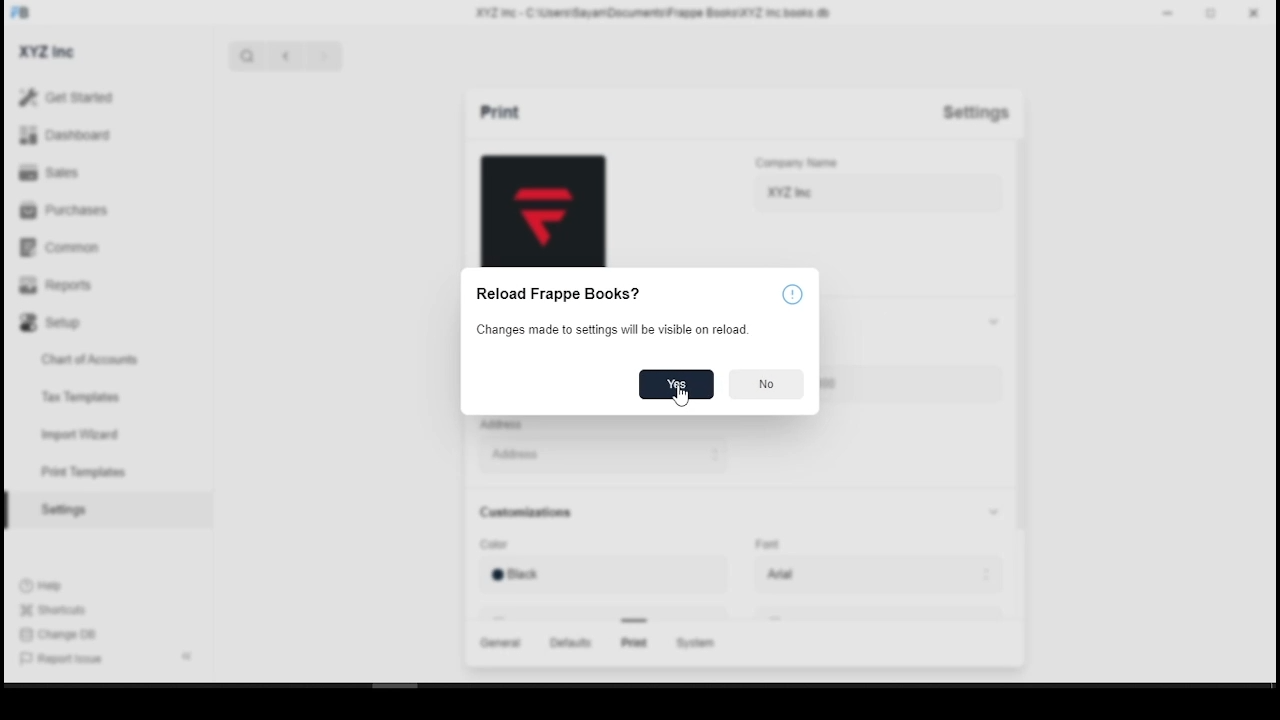 The height and width of the screenshot is (720, 1280). I want to click on no, so click(767, 386).